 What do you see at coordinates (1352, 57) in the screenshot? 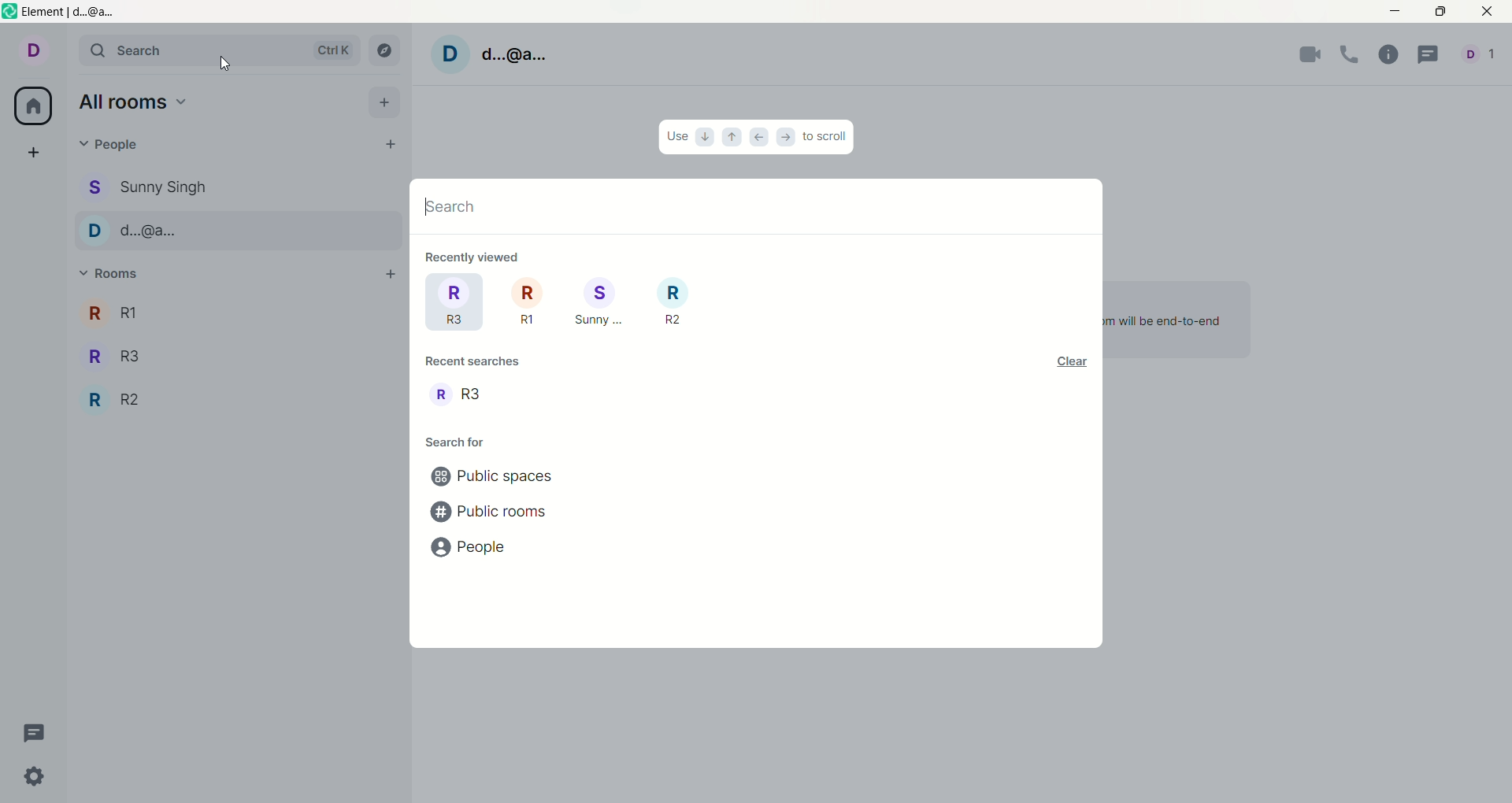
I see `voice call` at bounding box center [1352, 57].